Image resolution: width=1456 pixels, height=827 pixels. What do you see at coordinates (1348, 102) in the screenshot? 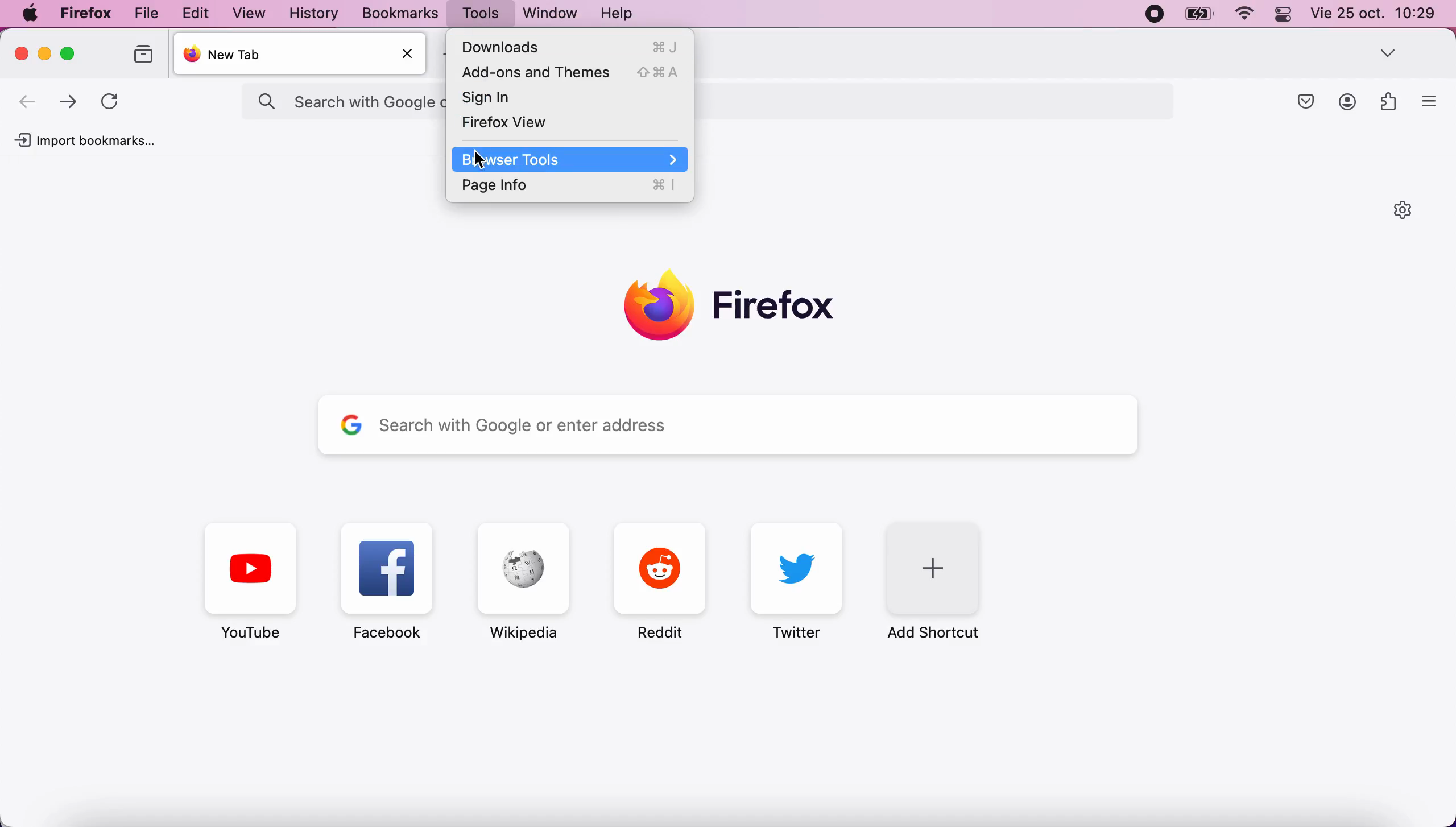
I see `Profile` at bounding box center [1348, 102].